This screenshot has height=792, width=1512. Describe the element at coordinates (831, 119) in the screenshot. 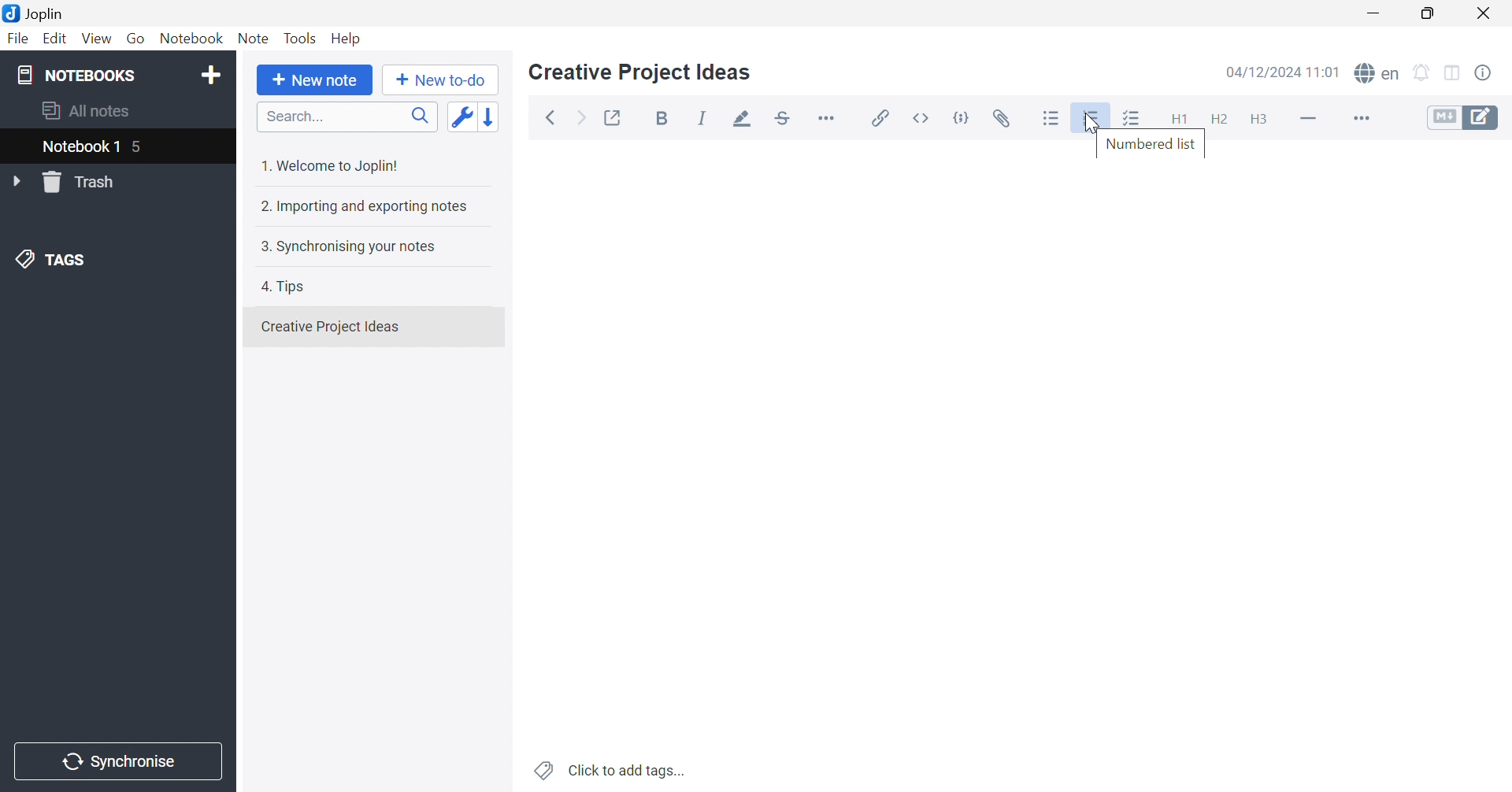

I see `Horizontal` at that location.